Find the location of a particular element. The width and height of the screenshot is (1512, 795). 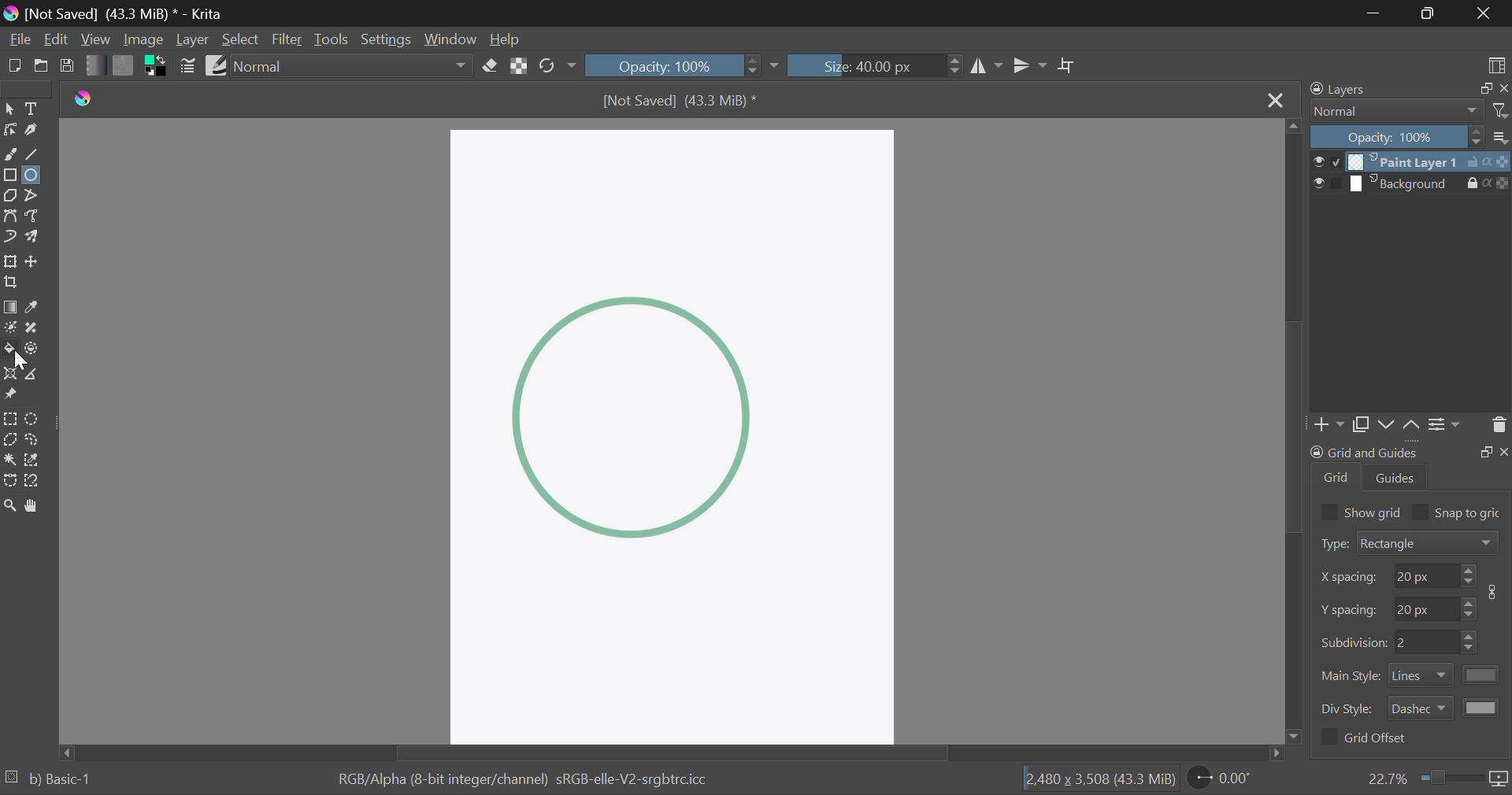

Continuous Selection is located at coordinates (9, 462).